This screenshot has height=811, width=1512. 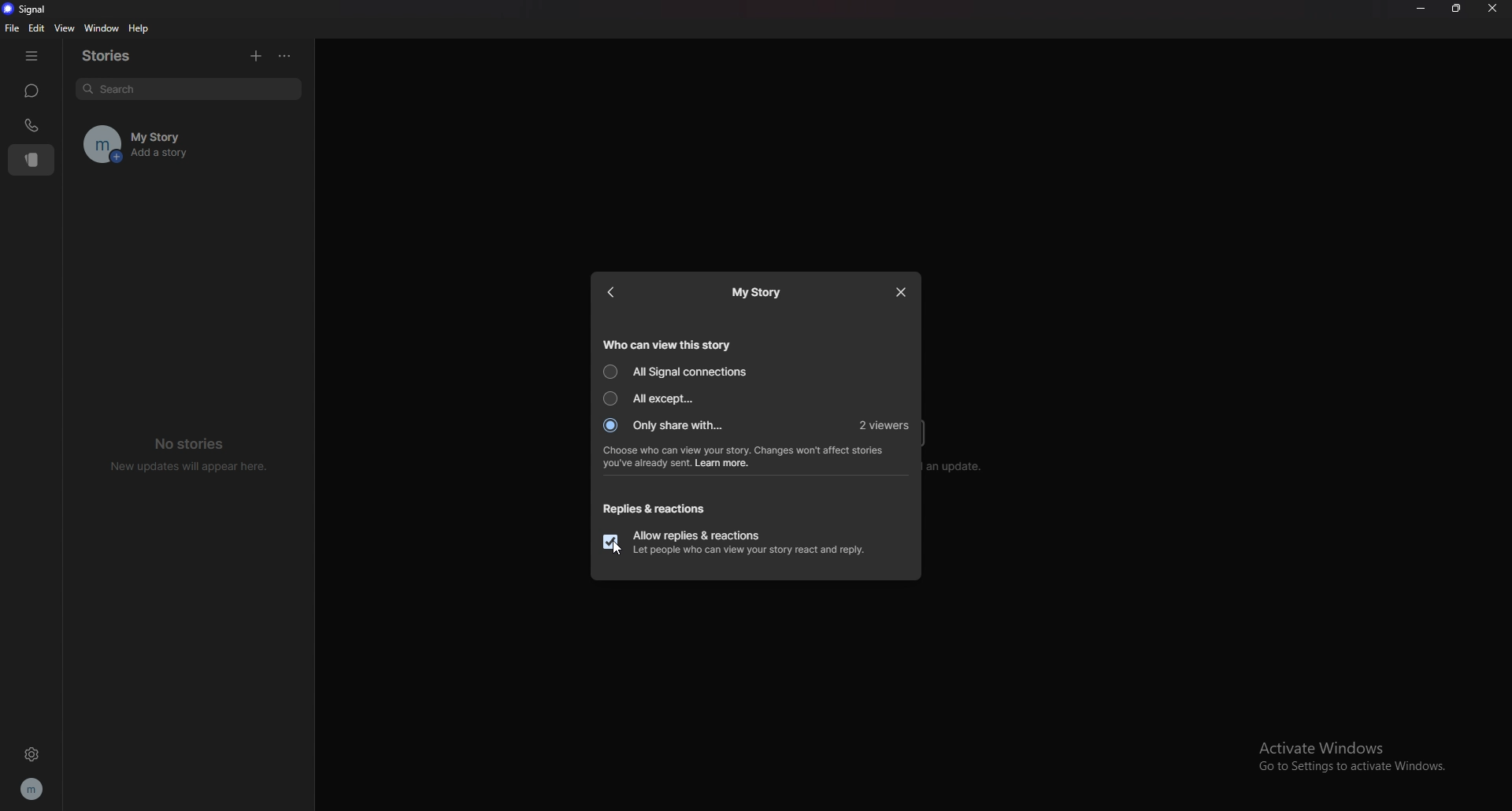 What do you see at coordinates (30, 756) in the screenshot?
I see `settings` at bounding box center [30, 756].